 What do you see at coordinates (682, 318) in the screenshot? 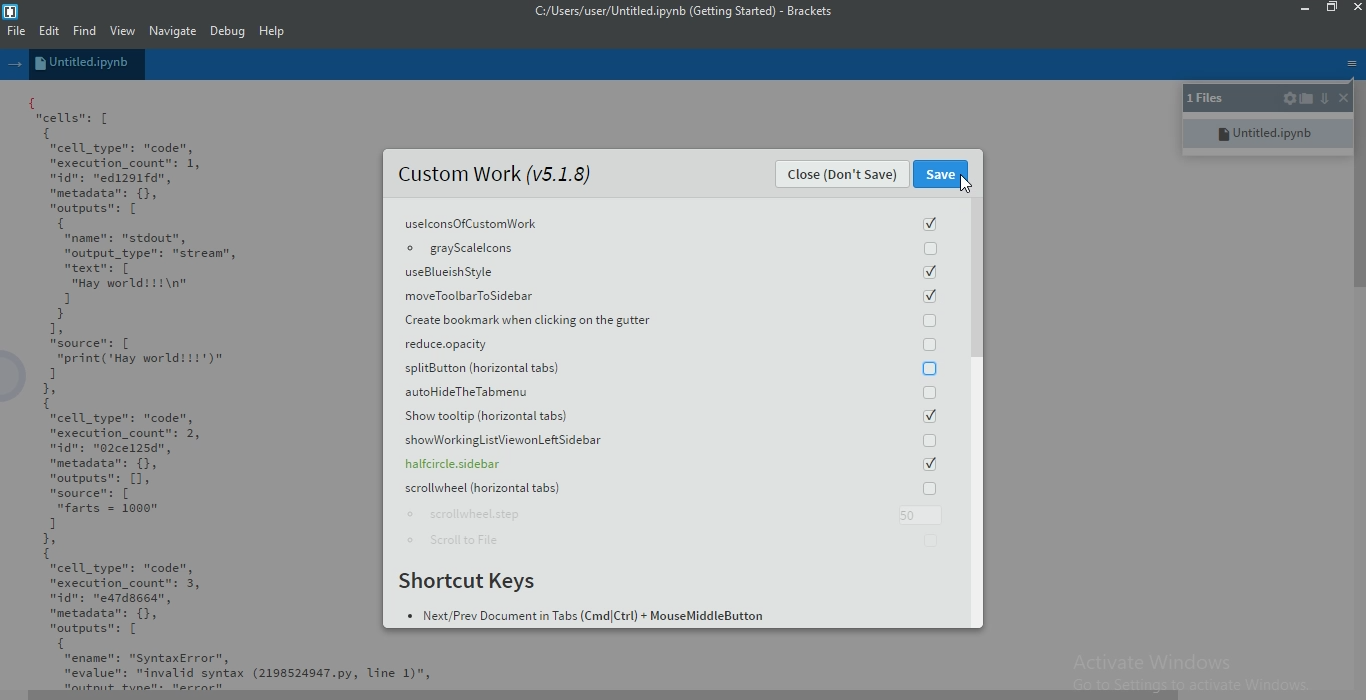
I see `Create bookmark when clicking on the gutter` at bounding box center [682, 318].